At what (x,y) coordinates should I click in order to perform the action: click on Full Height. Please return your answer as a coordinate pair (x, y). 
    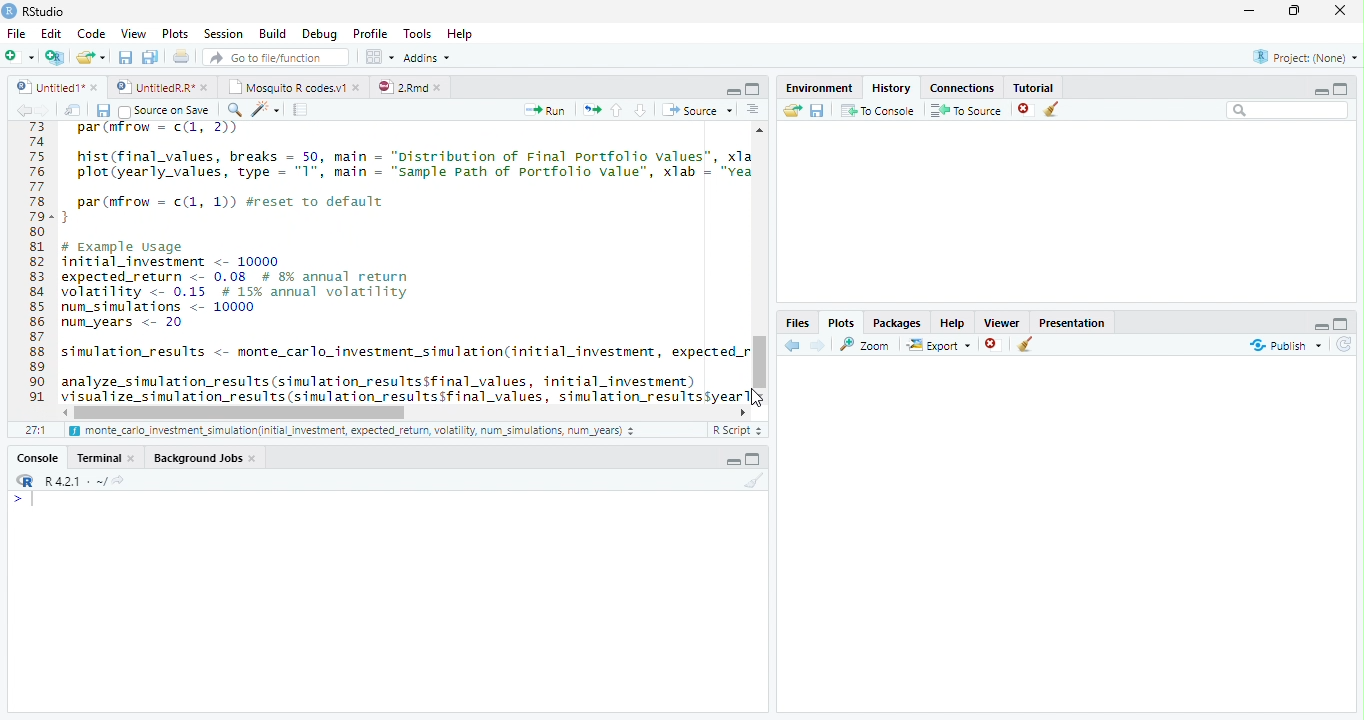
    Looking at the image, I should click on (756, 458).